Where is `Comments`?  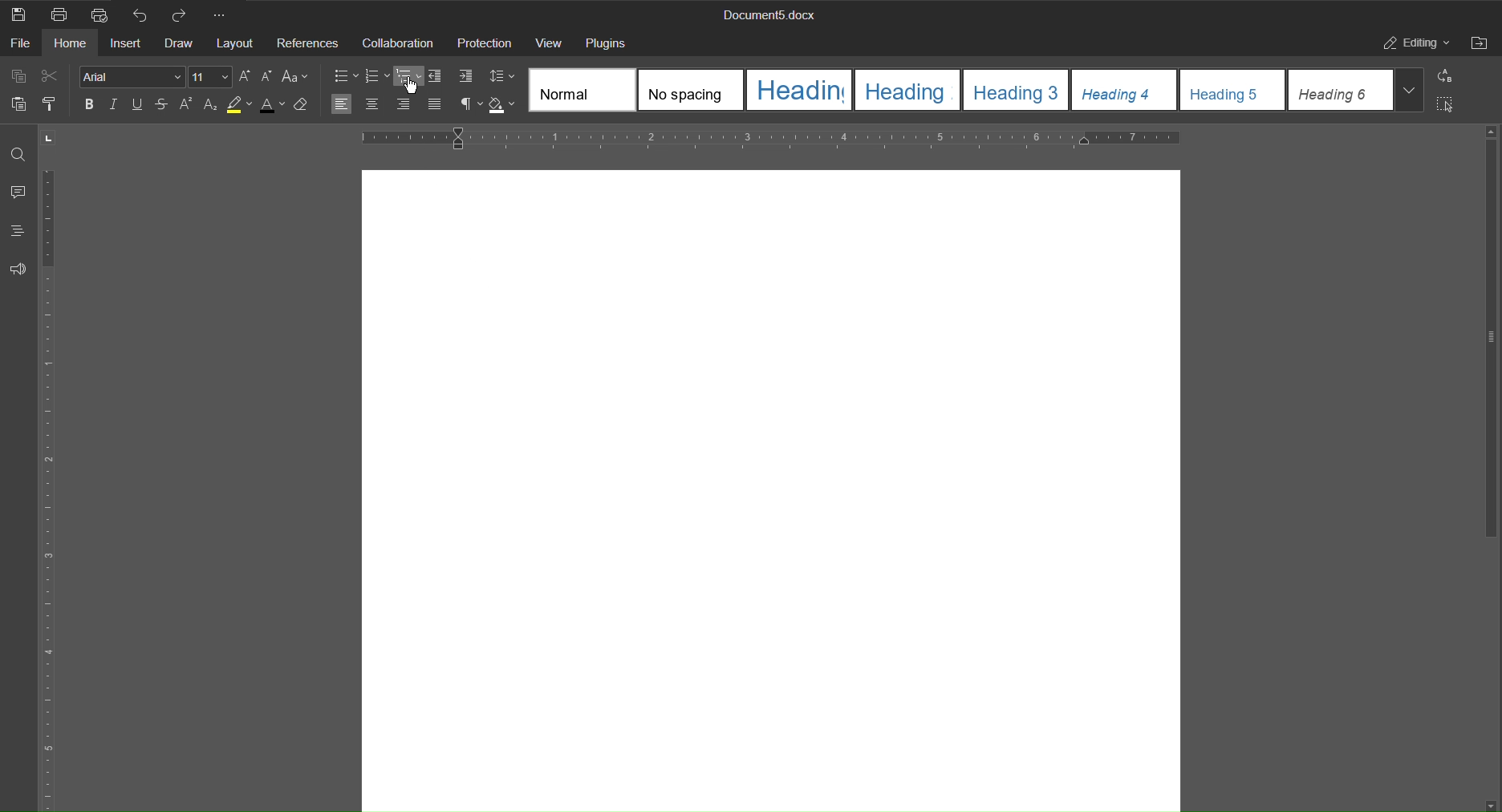
Comments is located at coordinates (20, 194).